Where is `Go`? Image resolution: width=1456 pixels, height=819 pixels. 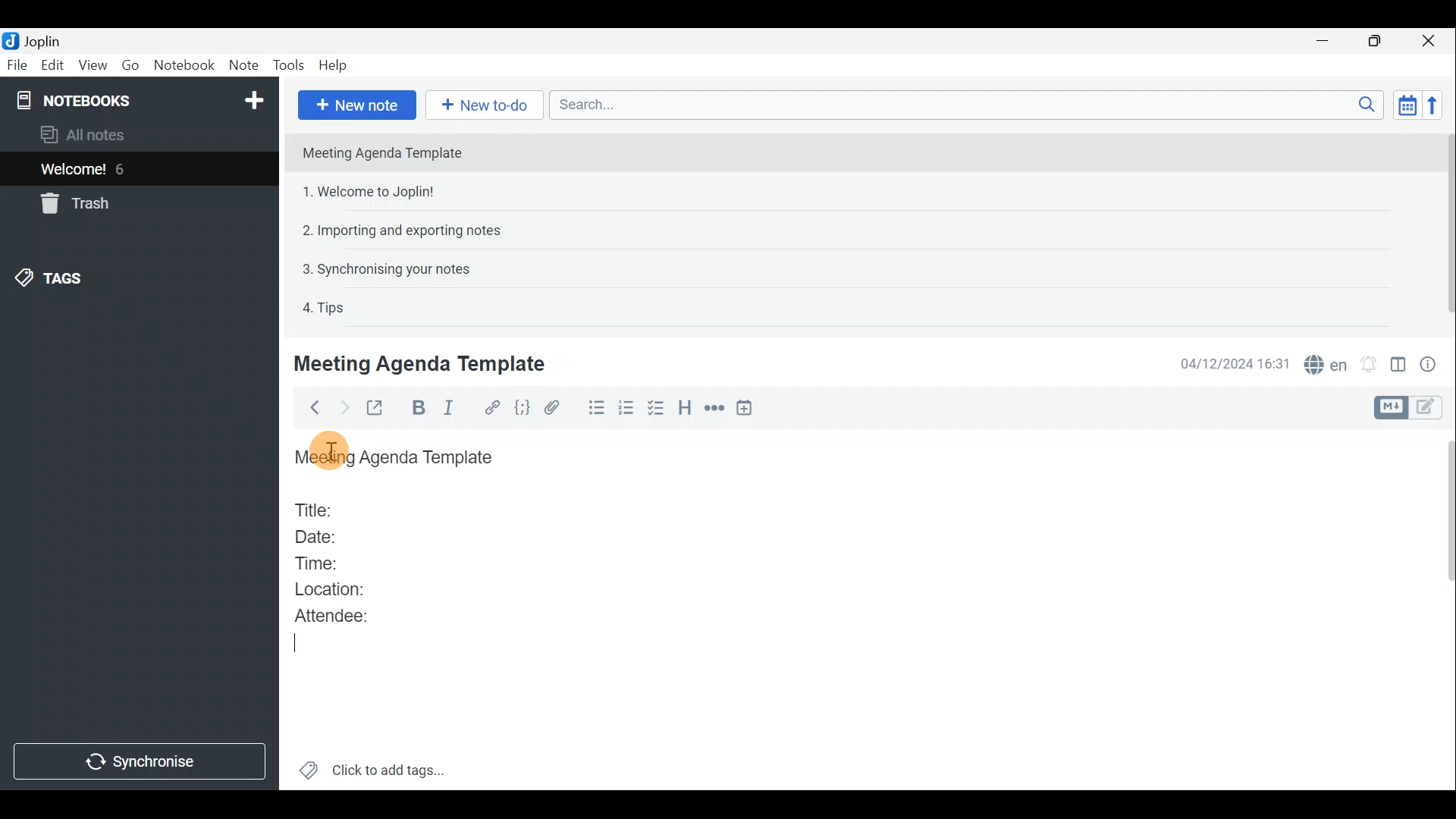 Go is located at coordinates (130, 65).